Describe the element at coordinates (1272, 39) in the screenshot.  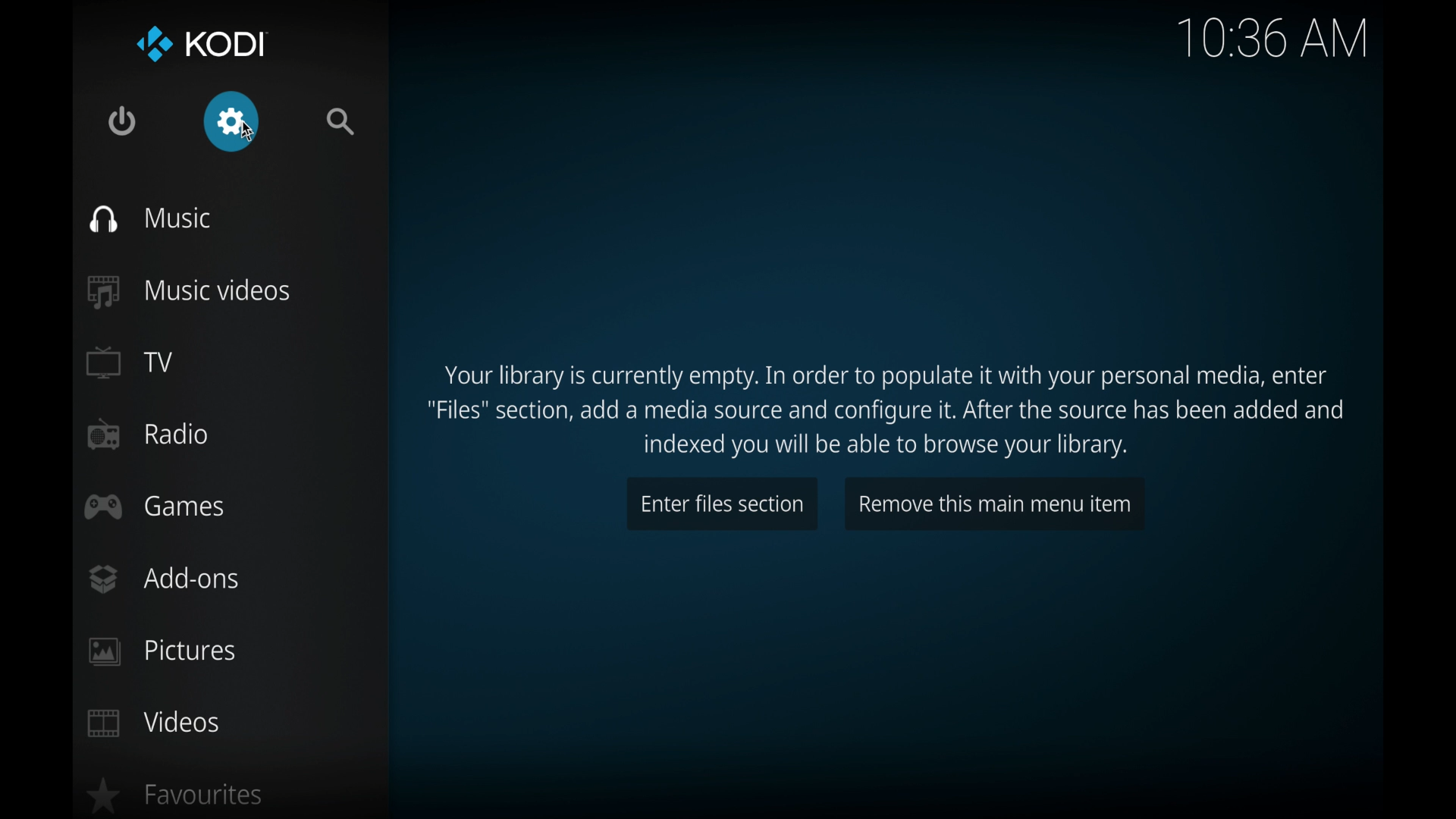
I see `10.36 am` at that location.